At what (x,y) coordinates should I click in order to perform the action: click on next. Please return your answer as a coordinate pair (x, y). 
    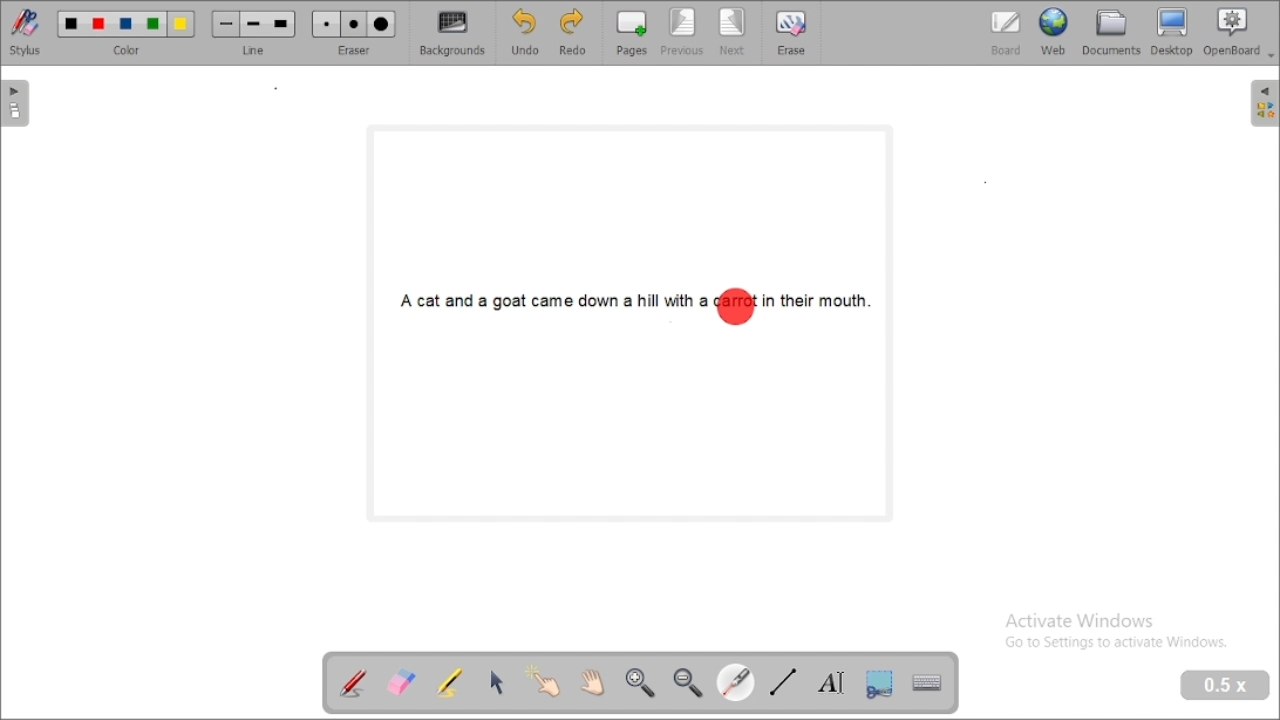
    Looking at the image, I should click on (734, 33).